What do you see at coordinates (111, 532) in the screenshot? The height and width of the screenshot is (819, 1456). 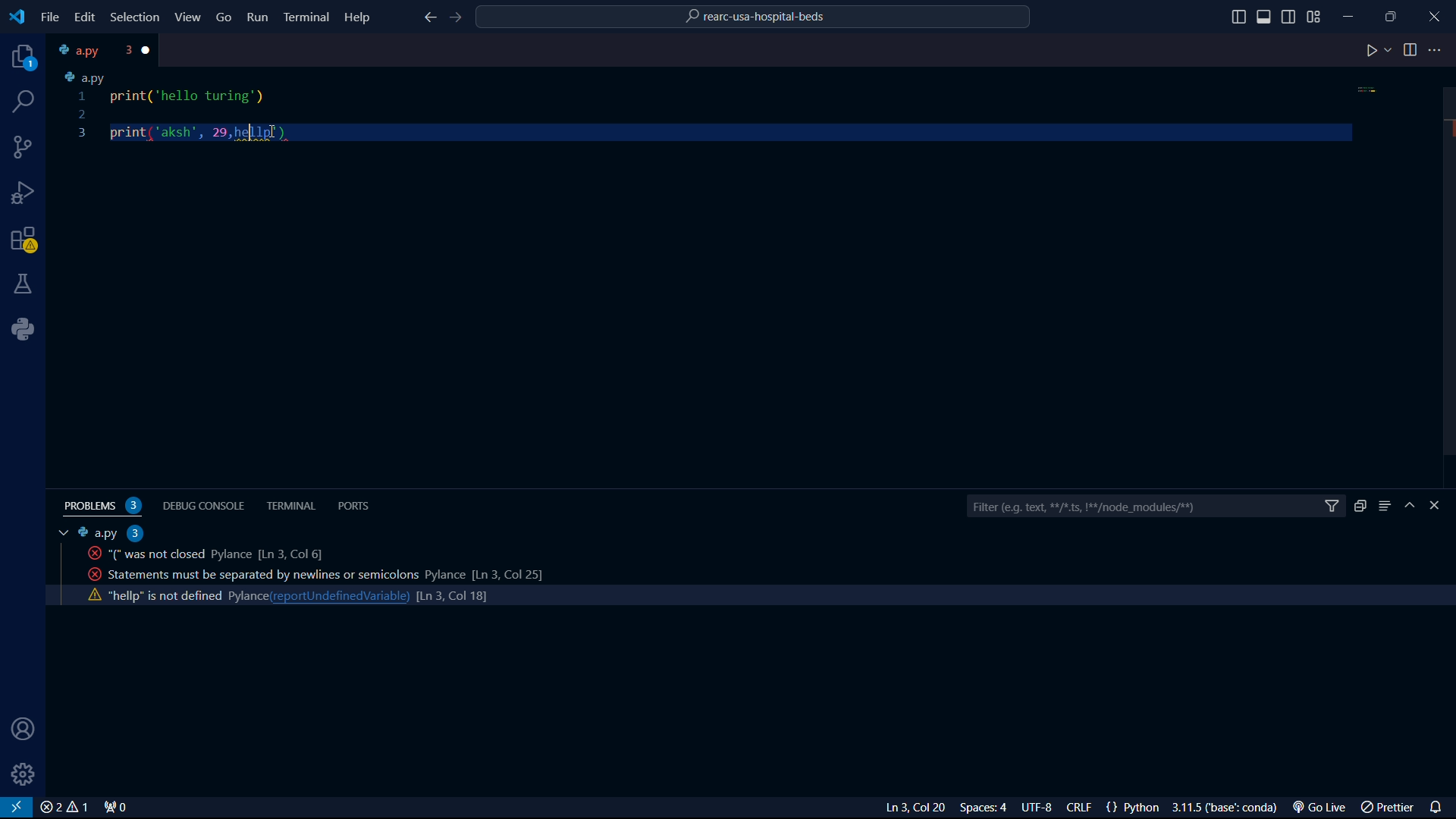 I see `a.py 2` at bounding box center [111, 532].